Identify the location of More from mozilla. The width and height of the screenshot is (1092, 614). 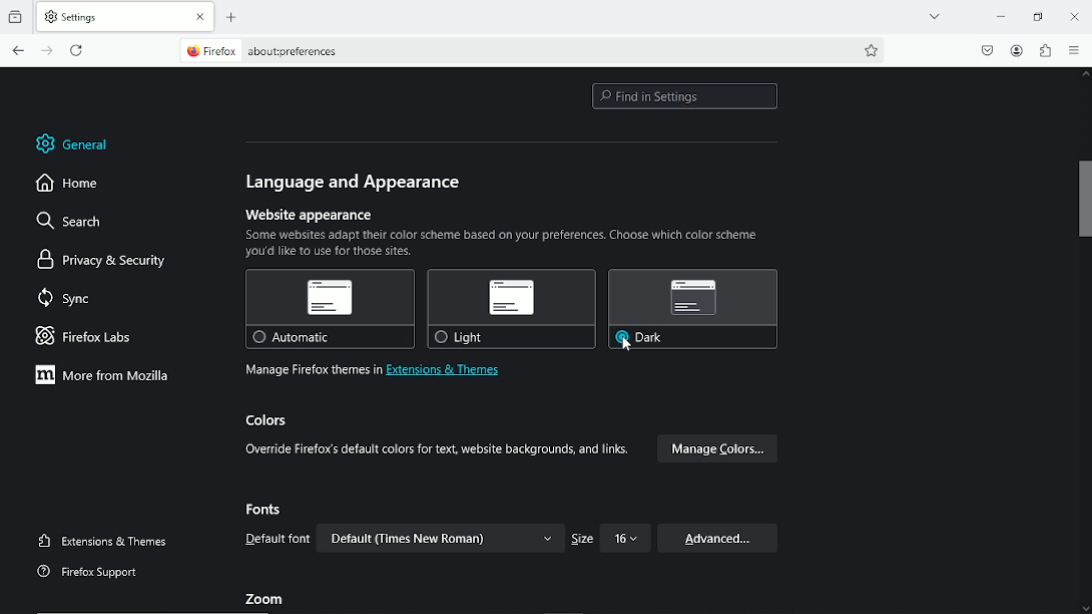
(103, 380).